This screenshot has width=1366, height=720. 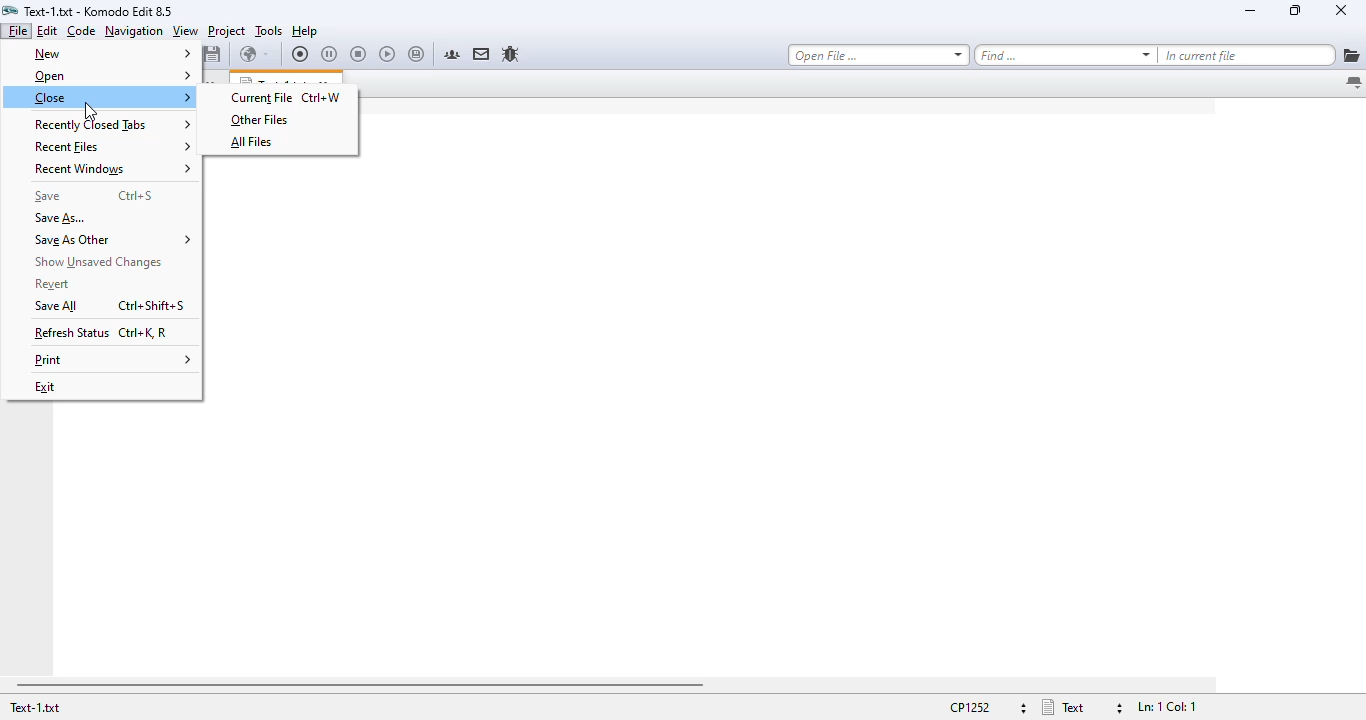 What do you see at coordinates (112, 361) in the screenshot?
I see `print` at bounding box center [112, 361].